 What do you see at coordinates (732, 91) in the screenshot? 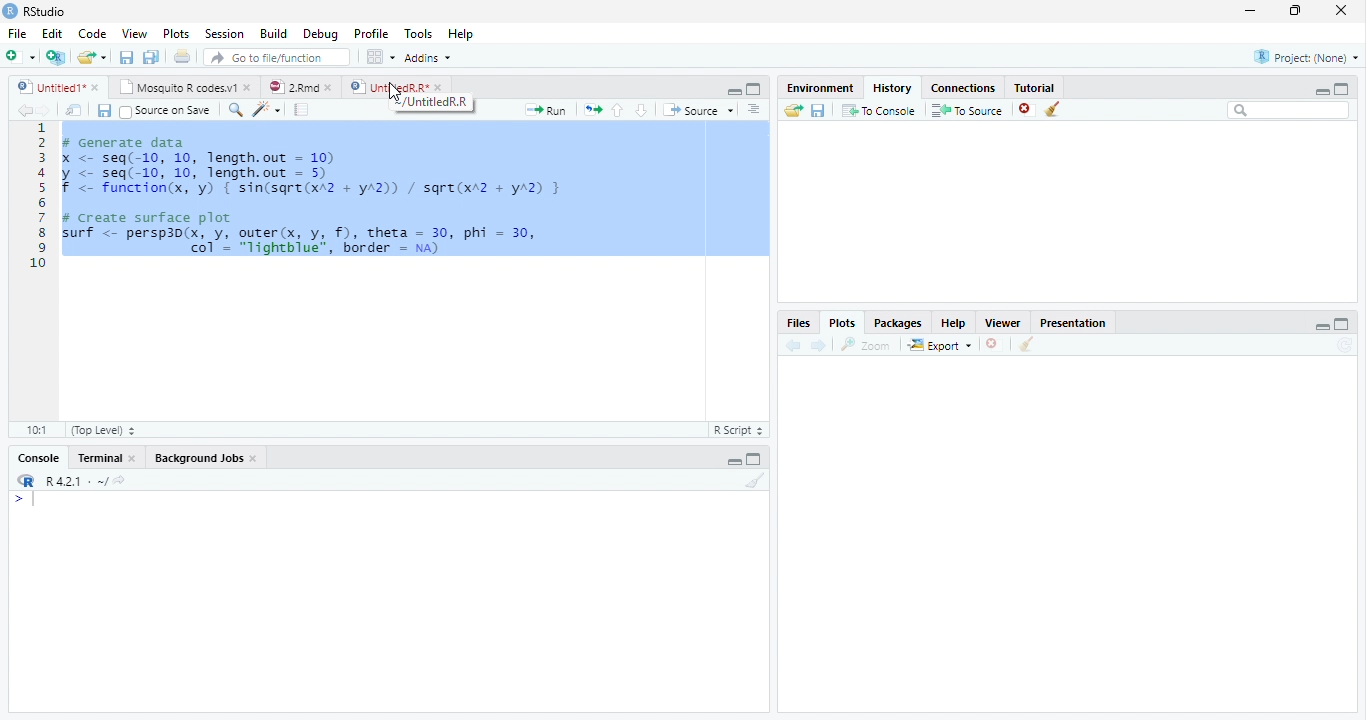
I see `Minimize` at bounding box center [732, 91].